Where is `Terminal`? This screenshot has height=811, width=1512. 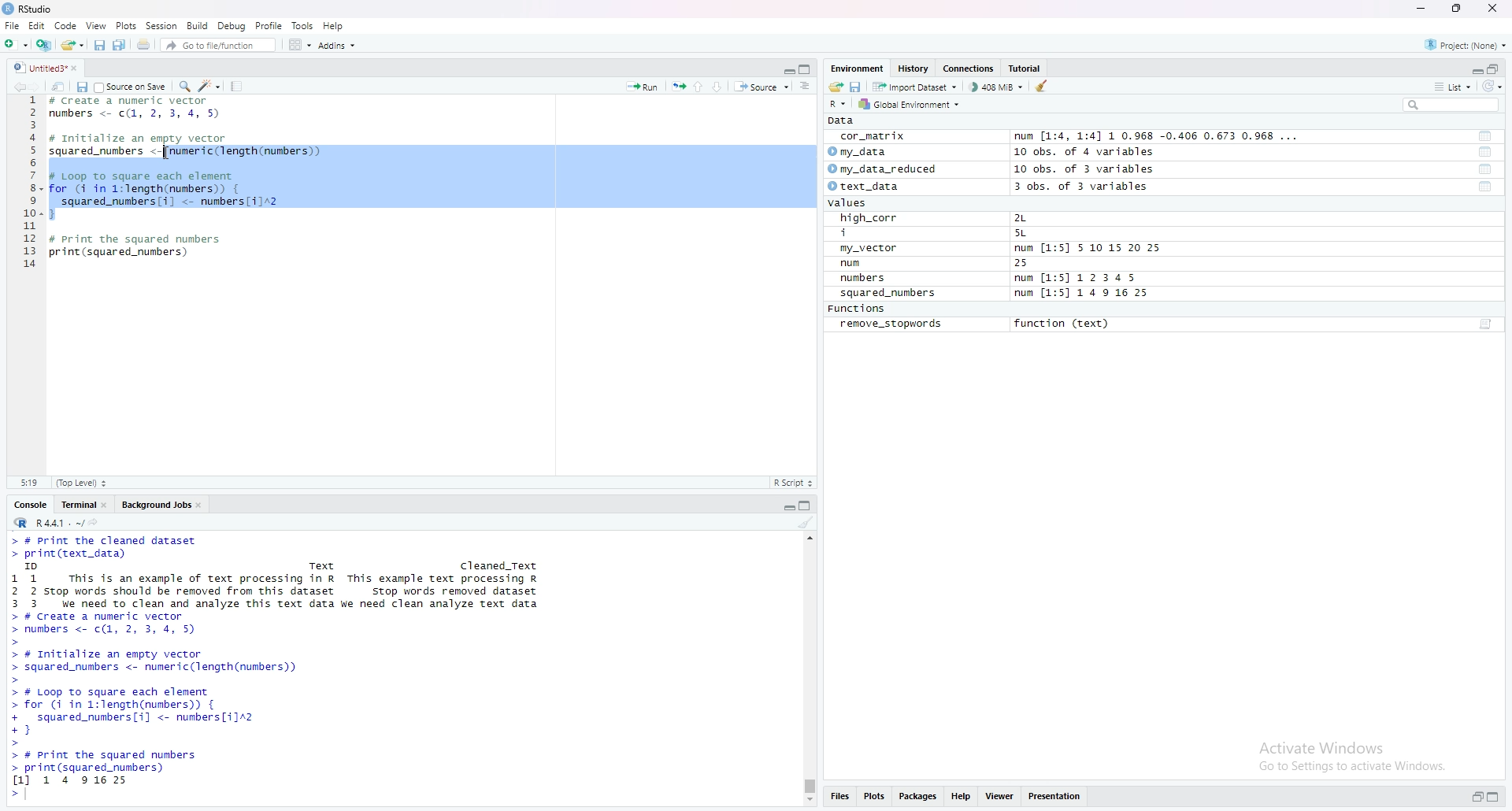 Terminal is located at coordinates (76, 503).